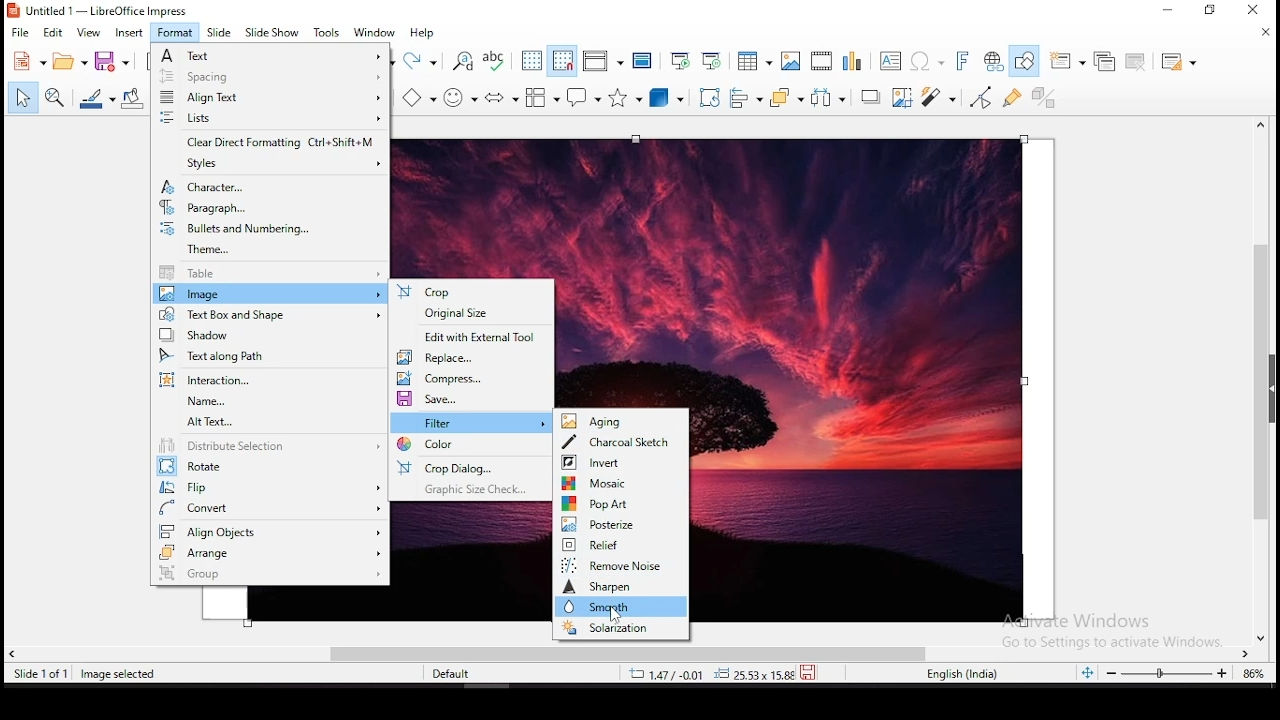 The image size is (1280, 720). What do you see at coordinates (890, 61) in the screenshot?
I see `text box` at bounding box center [890, 61].